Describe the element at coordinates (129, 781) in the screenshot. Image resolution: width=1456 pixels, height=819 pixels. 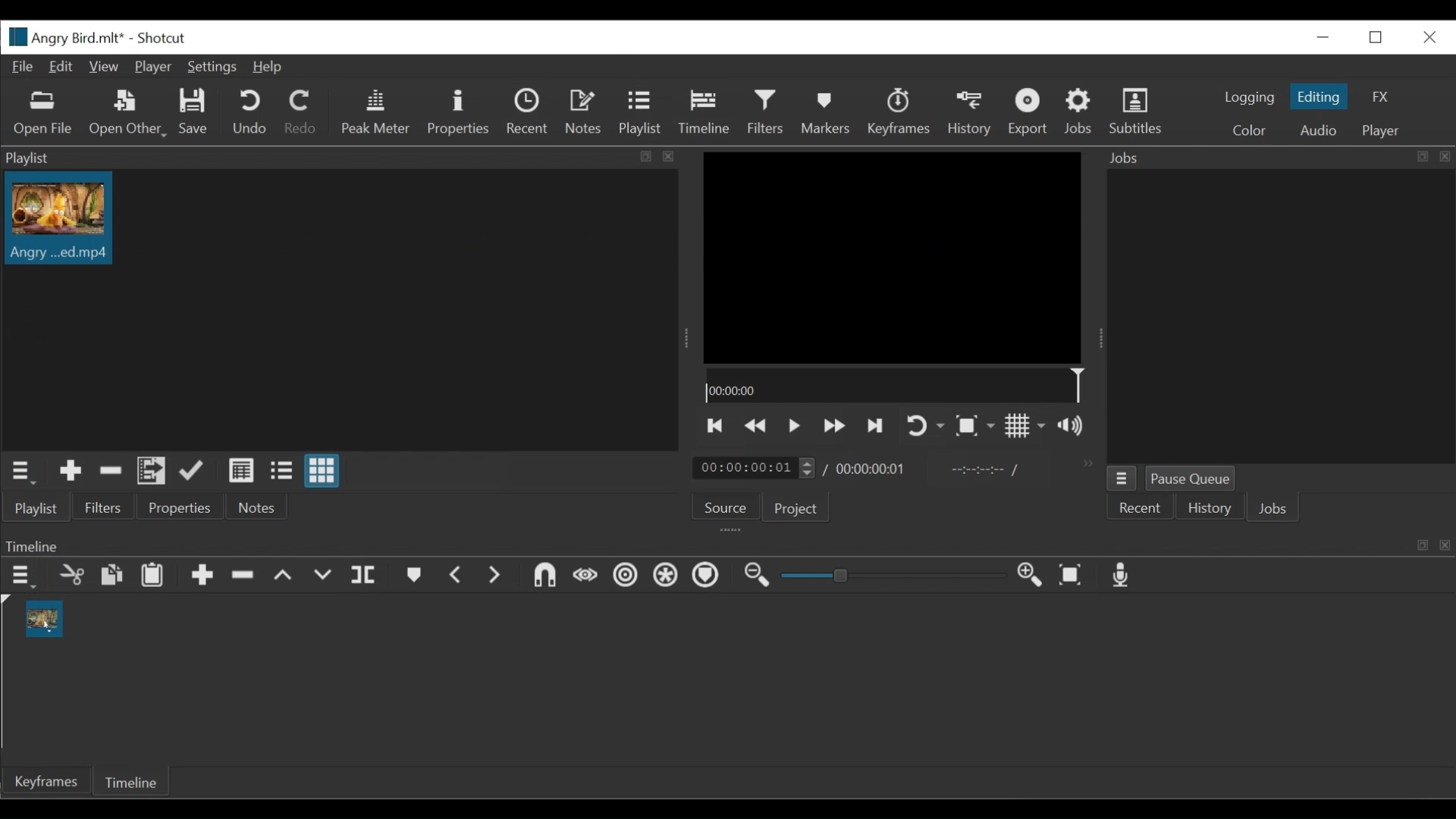
I see `Timeline` at that location.